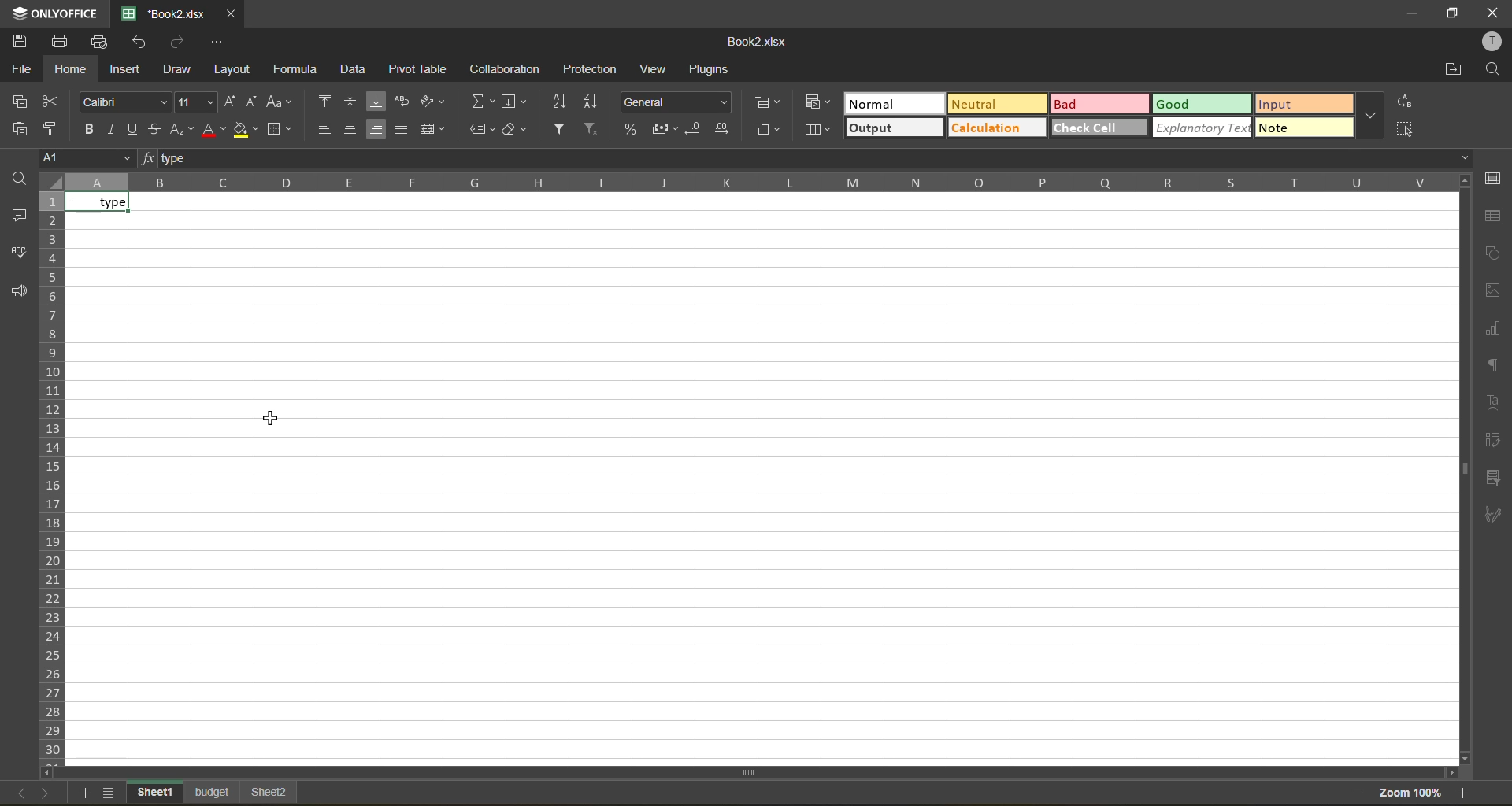  Describe the element at coordinates (24, 102) in the screenshot. I see `copy` at that location.